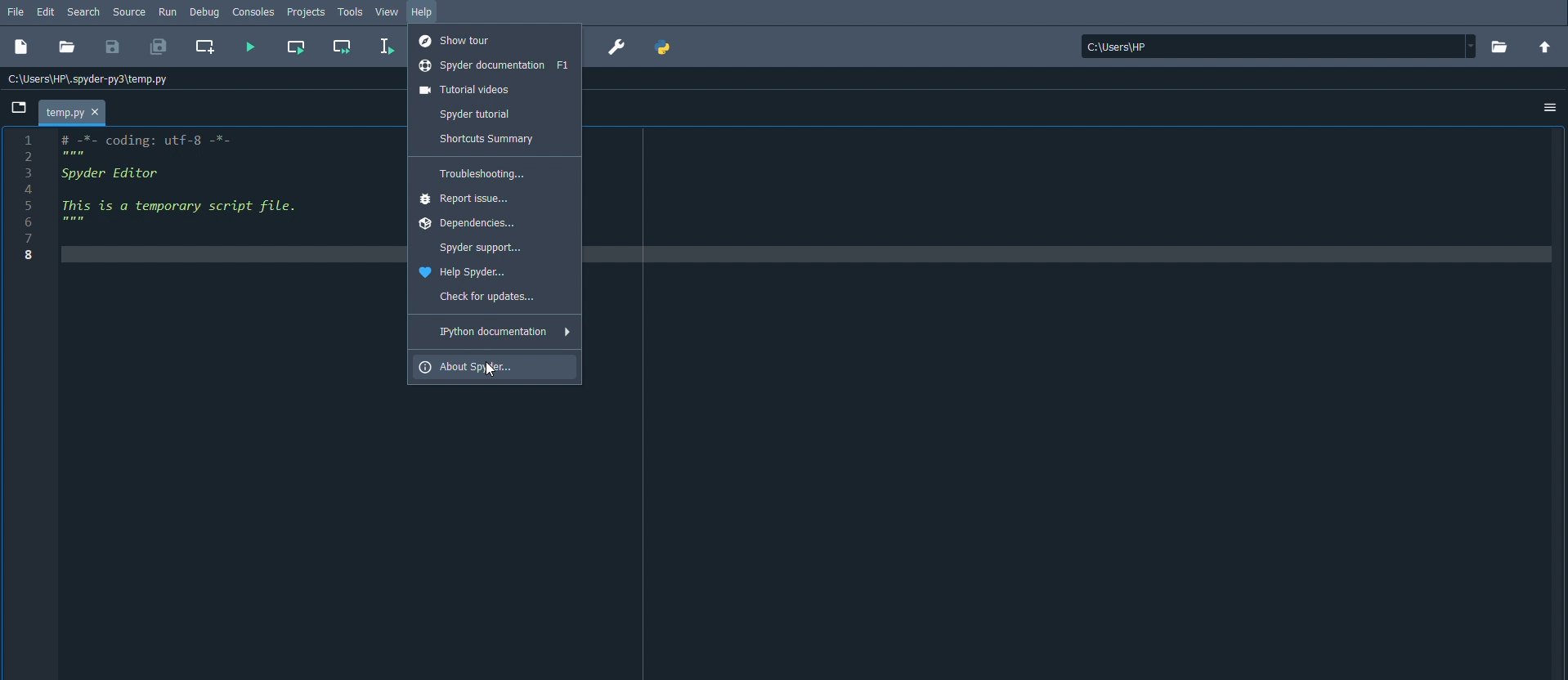 This screenshot has width=1568, height=680. What do you see at coordinates (66, 47) in the screenshot?
I see `Open file` at bounding box center [66, 47].